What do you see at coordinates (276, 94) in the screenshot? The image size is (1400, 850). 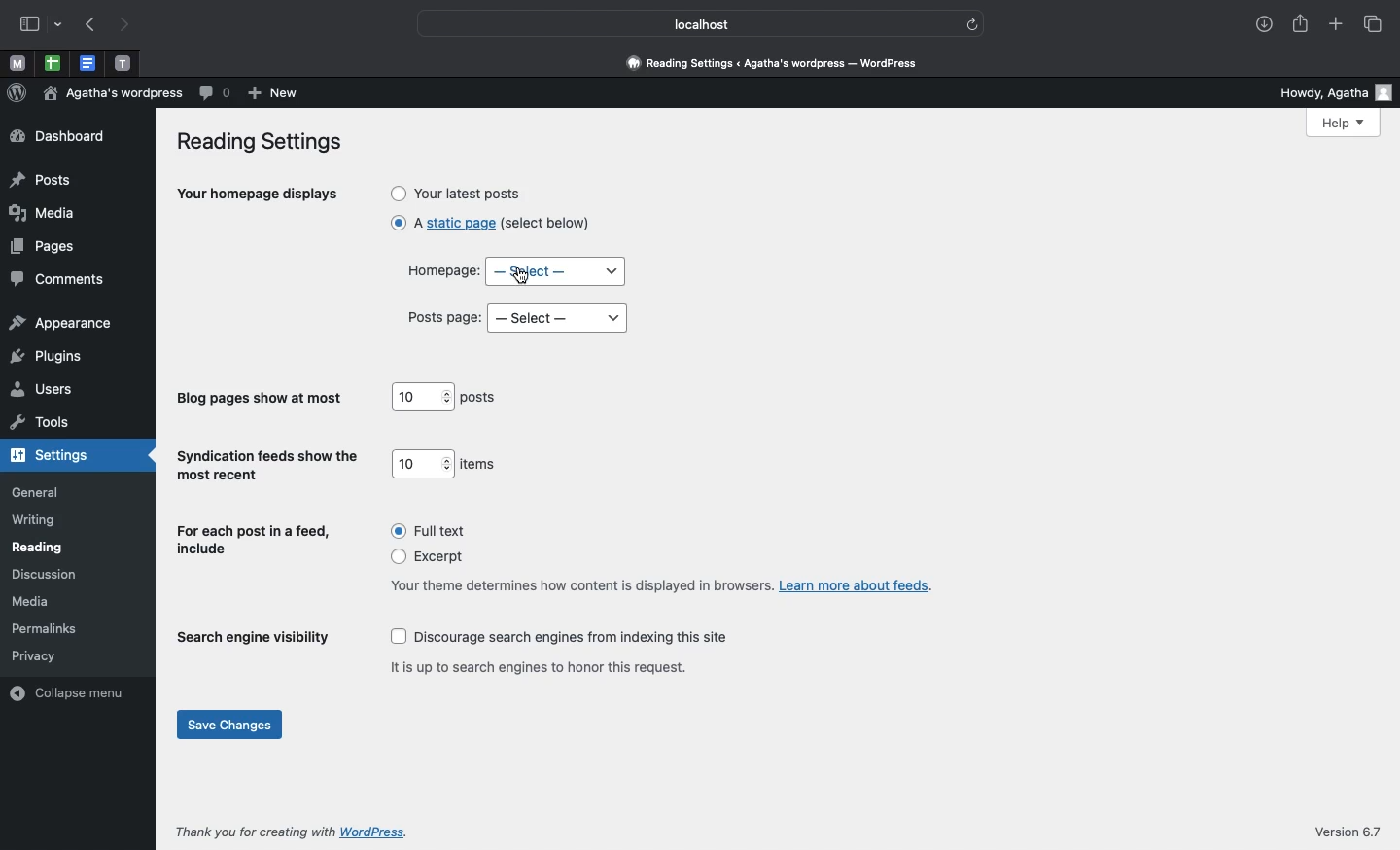 I see `New` at bounding box center [276, 94].